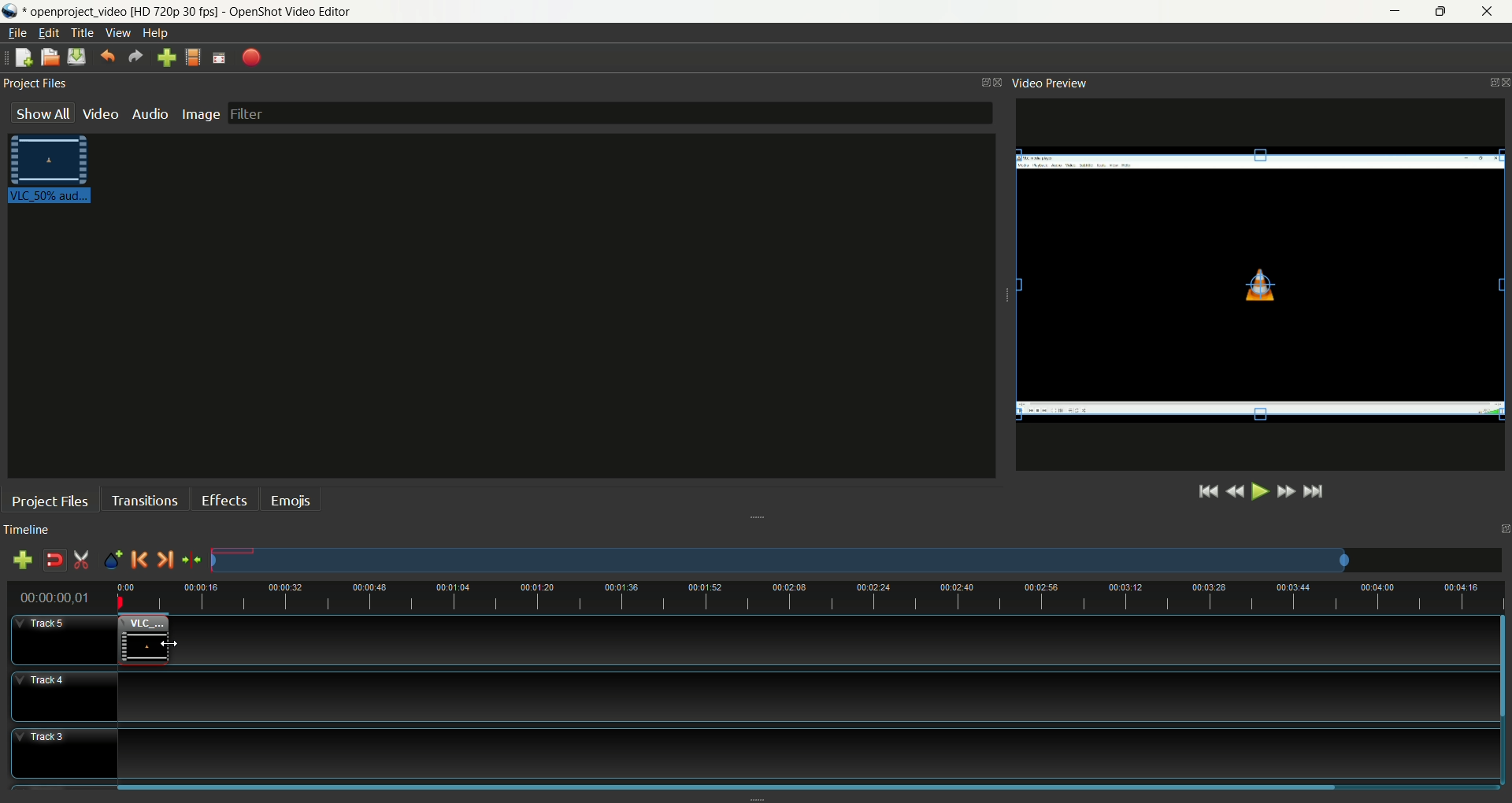 The image size is (1512, 803). Describe the element at coordinates (1393, 12) in the screenshot. I see `minimize` at that location.